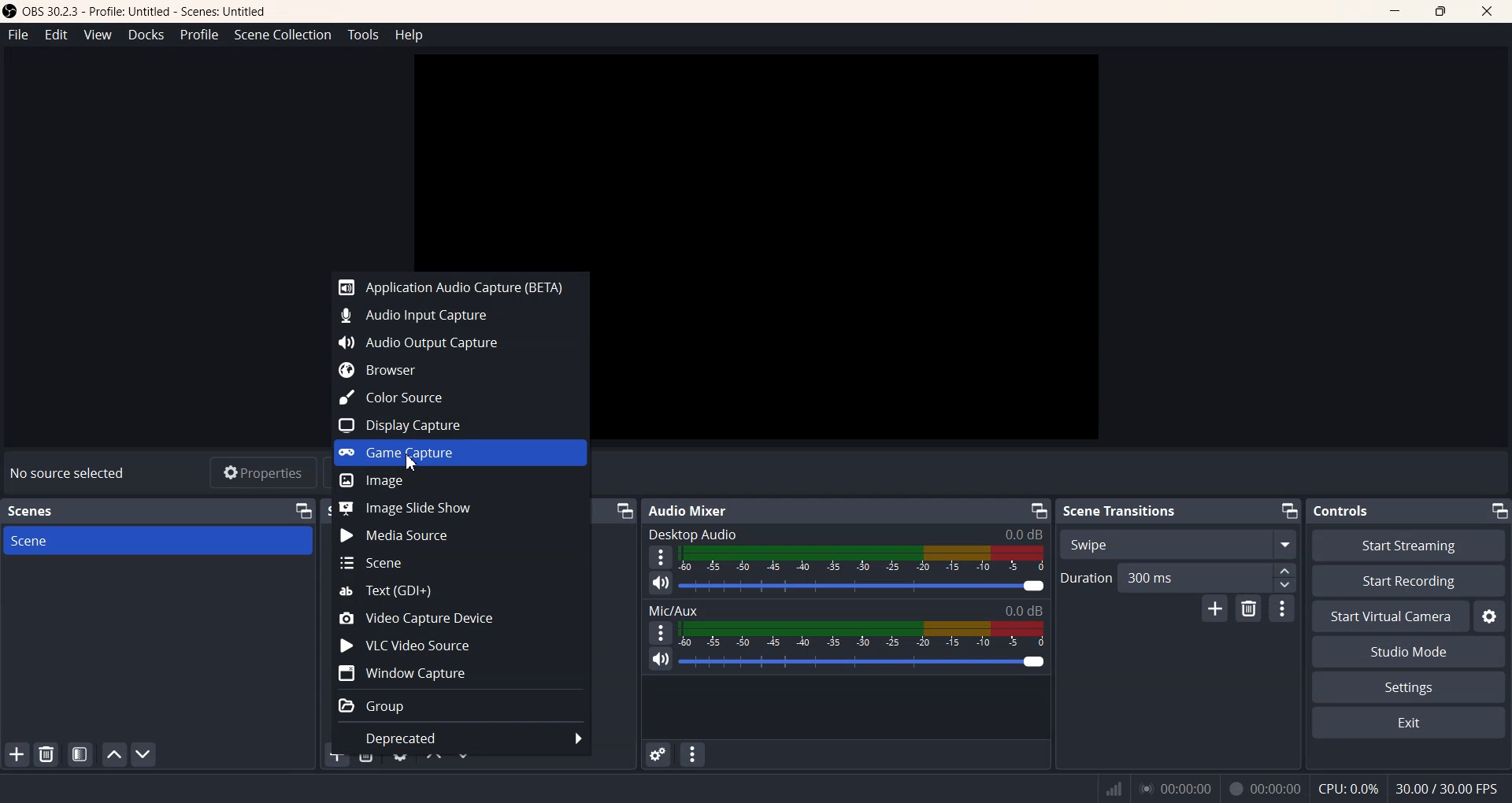 Image resolution: width=1512 pixels, height=803 pixels. What do you see at coordinates (661, 632) in the screenshot?
I see `More` at bounding box center [661, 632].